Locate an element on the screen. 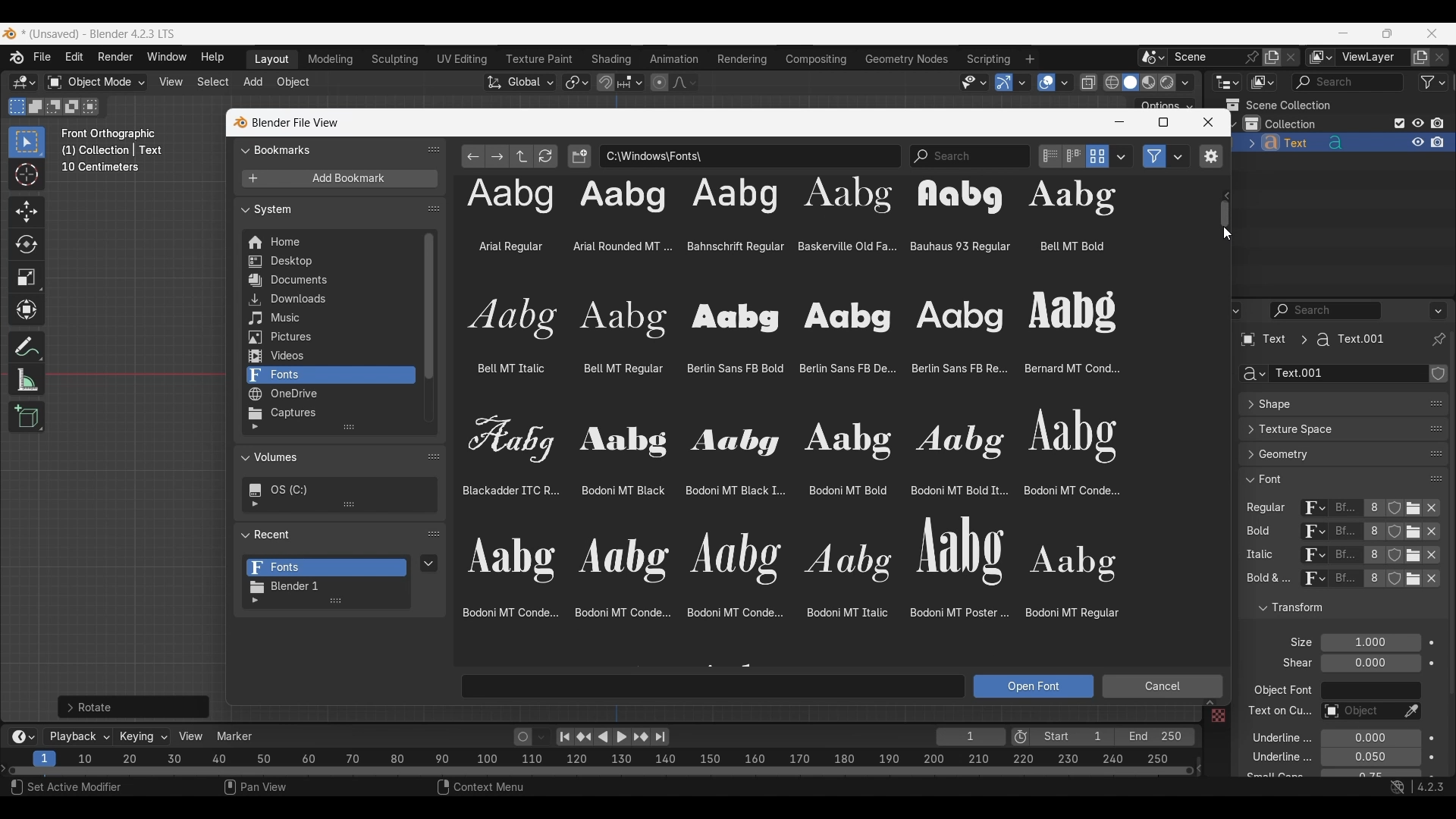 This screenshot has height=819, width=1456. Videos folder is located at coordinates (330, 356).